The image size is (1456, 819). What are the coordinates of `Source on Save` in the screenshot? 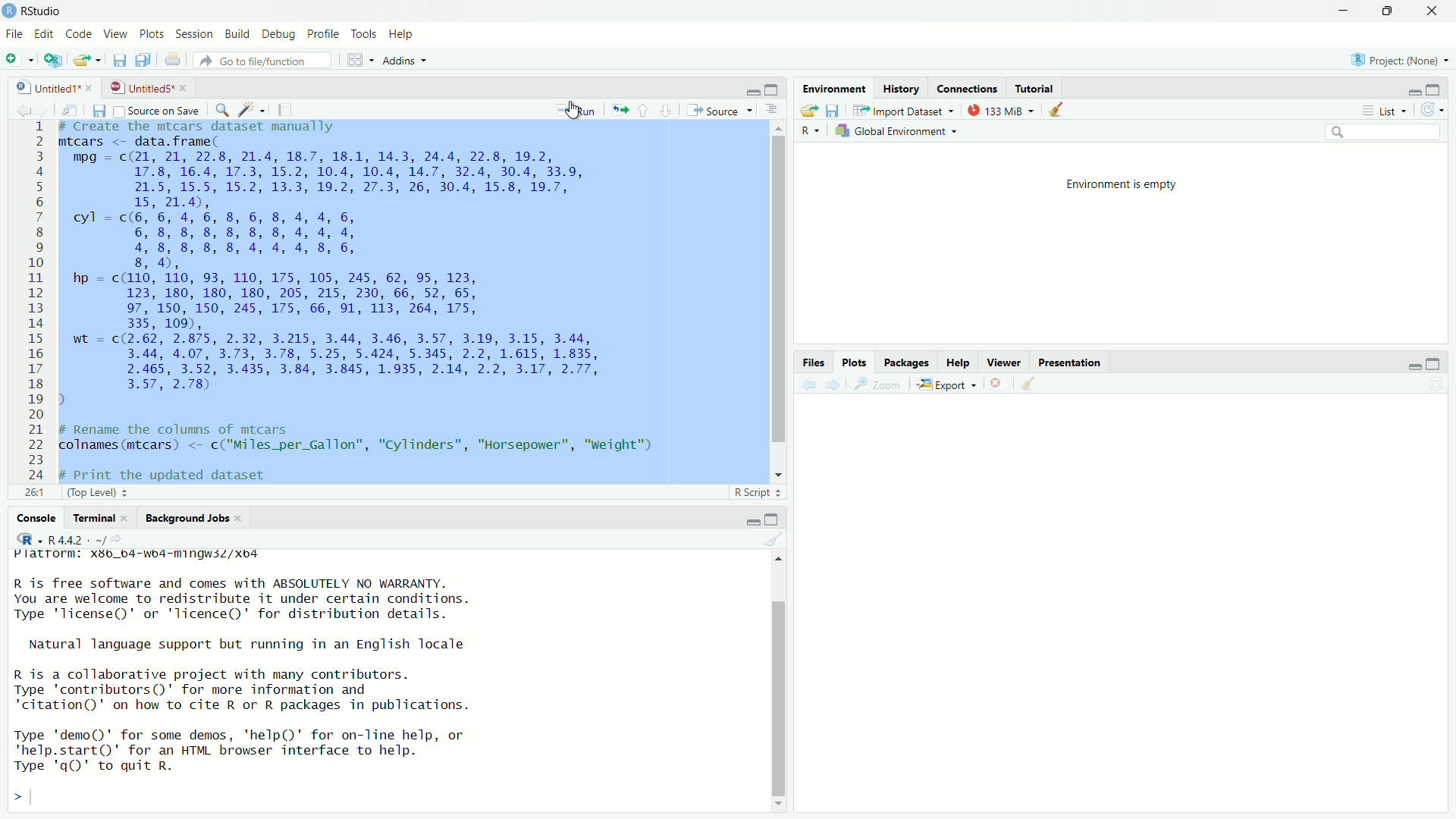 It's located at (158, 111).